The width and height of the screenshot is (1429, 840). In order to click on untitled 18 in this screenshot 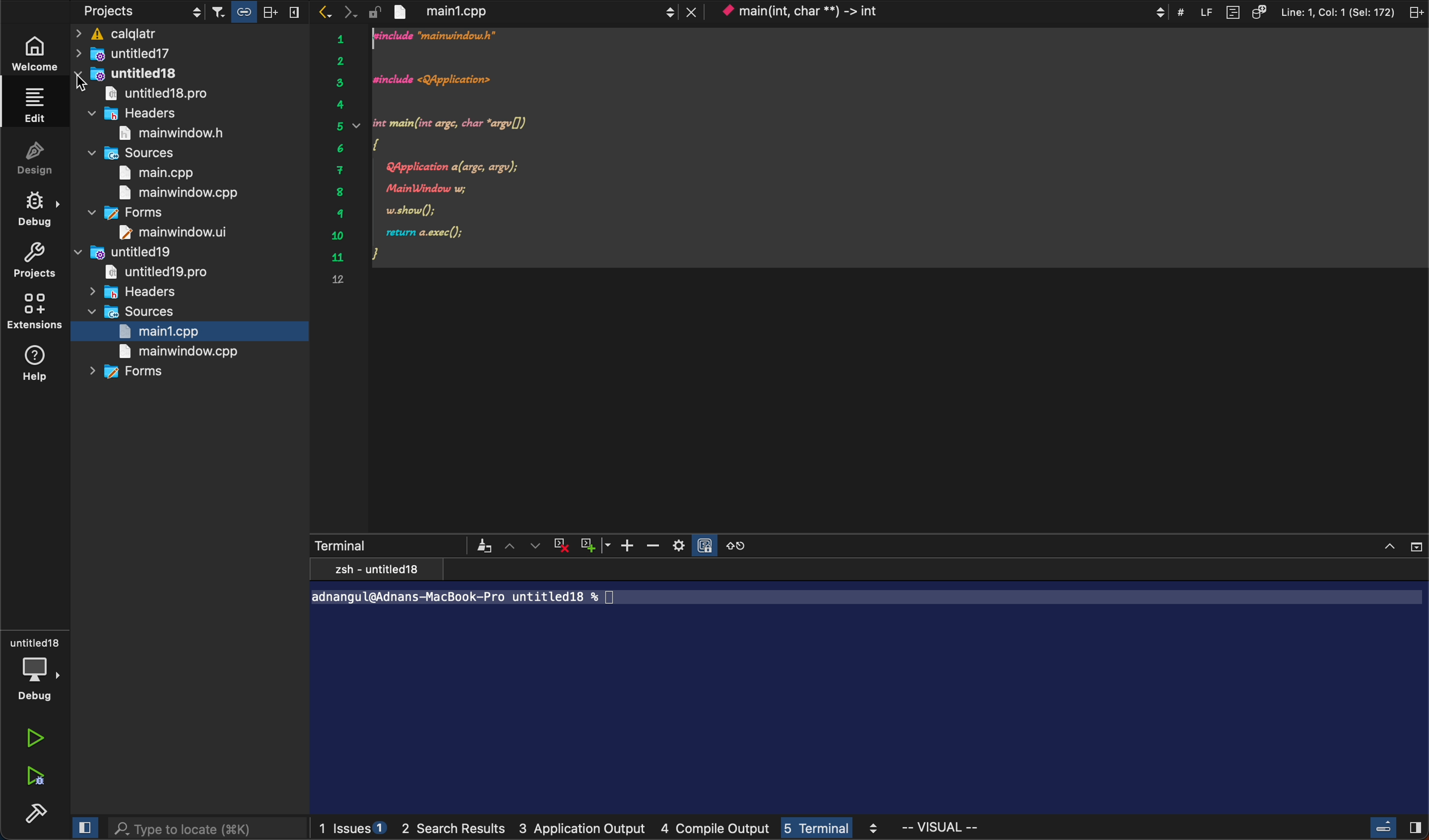, I will do `click(134, 74)`.